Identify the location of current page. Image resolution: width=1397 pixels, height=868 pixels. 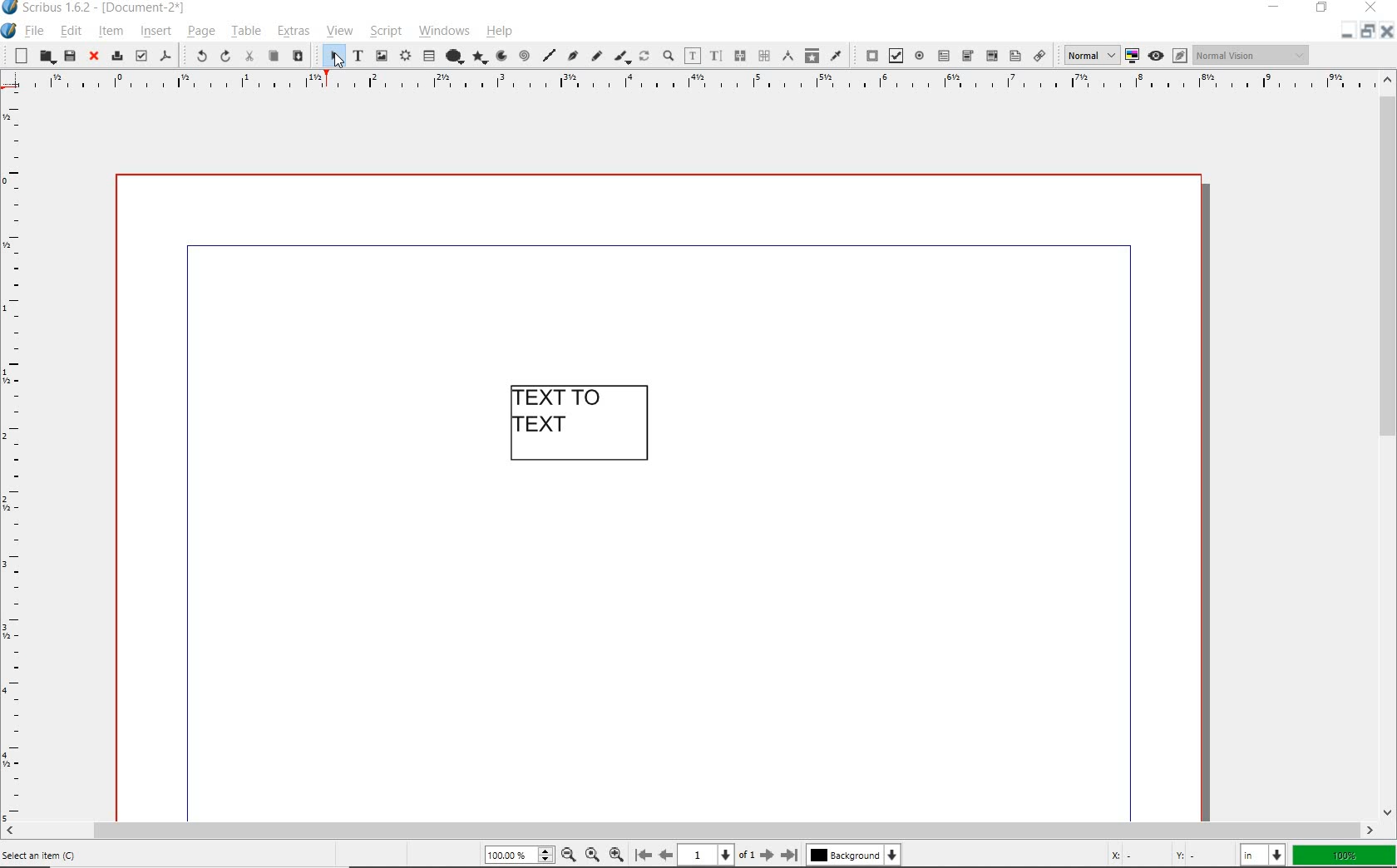
(720, 855).